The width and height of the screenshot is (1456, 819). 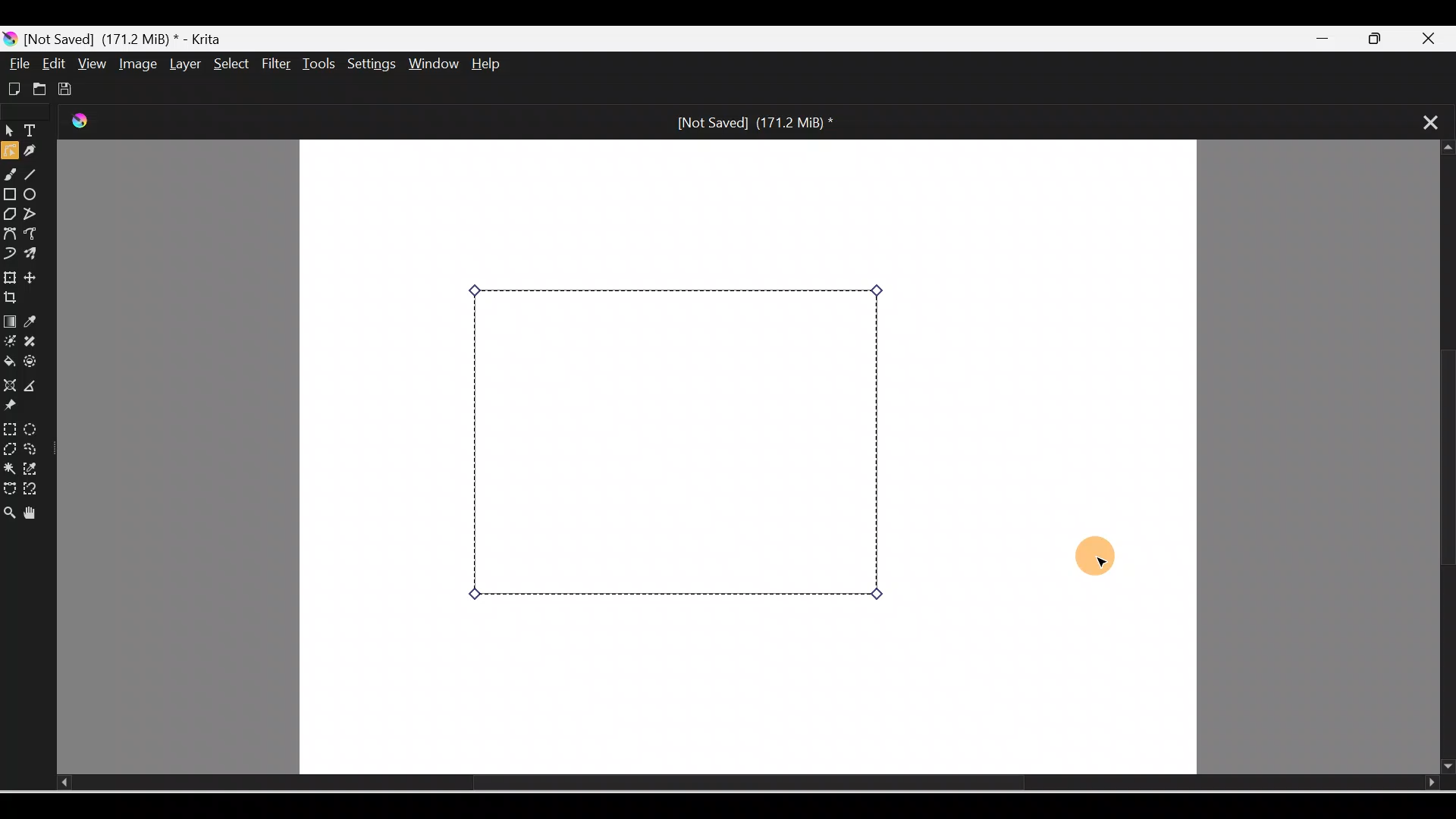 What do you see at coordinates (10, 362) in the screenshot?
I see `Fill a contiguous area of color with color` at bounding box center [10, 362].